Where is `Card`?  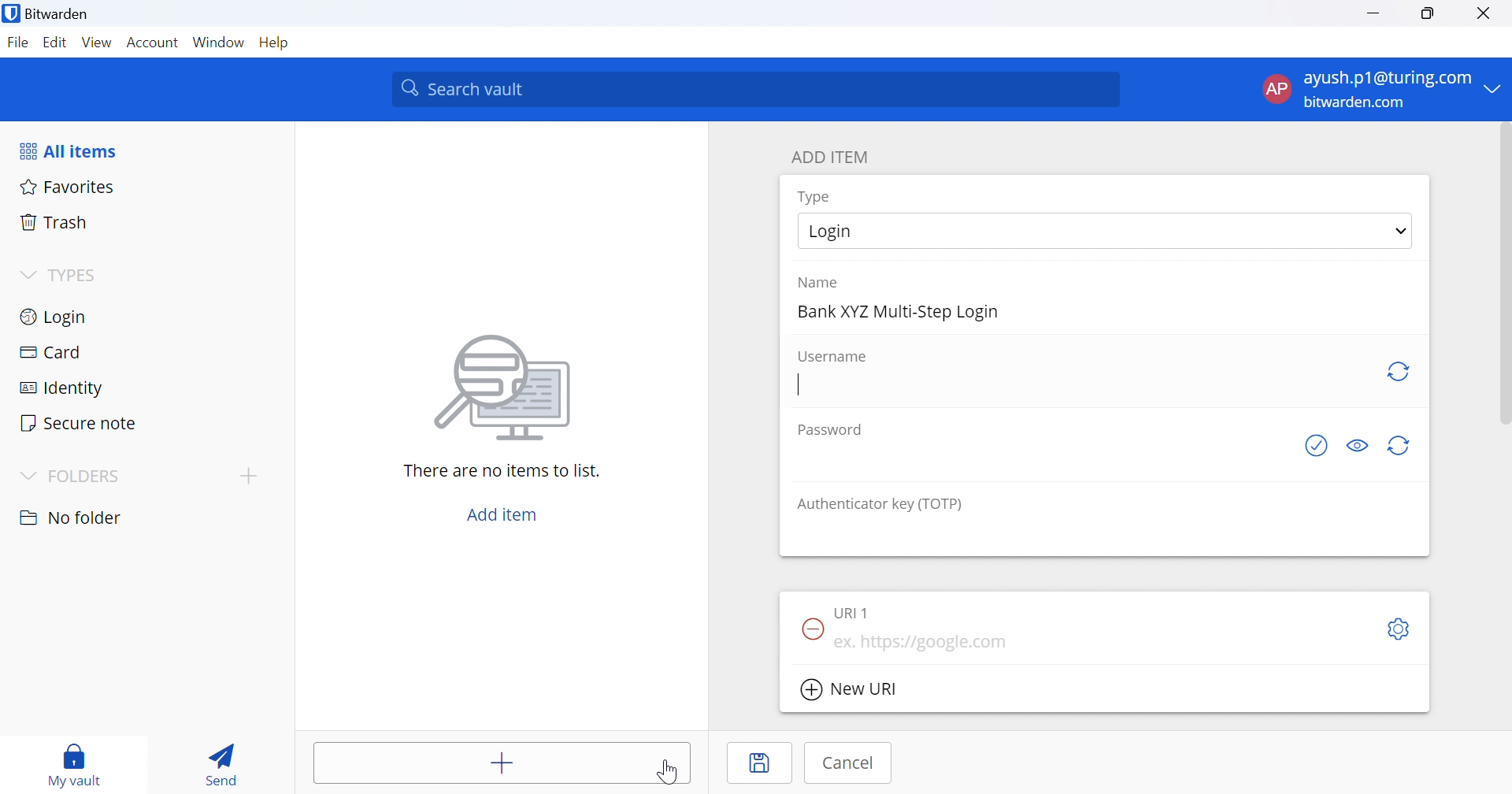 Card is located at coordinates (51, 351).